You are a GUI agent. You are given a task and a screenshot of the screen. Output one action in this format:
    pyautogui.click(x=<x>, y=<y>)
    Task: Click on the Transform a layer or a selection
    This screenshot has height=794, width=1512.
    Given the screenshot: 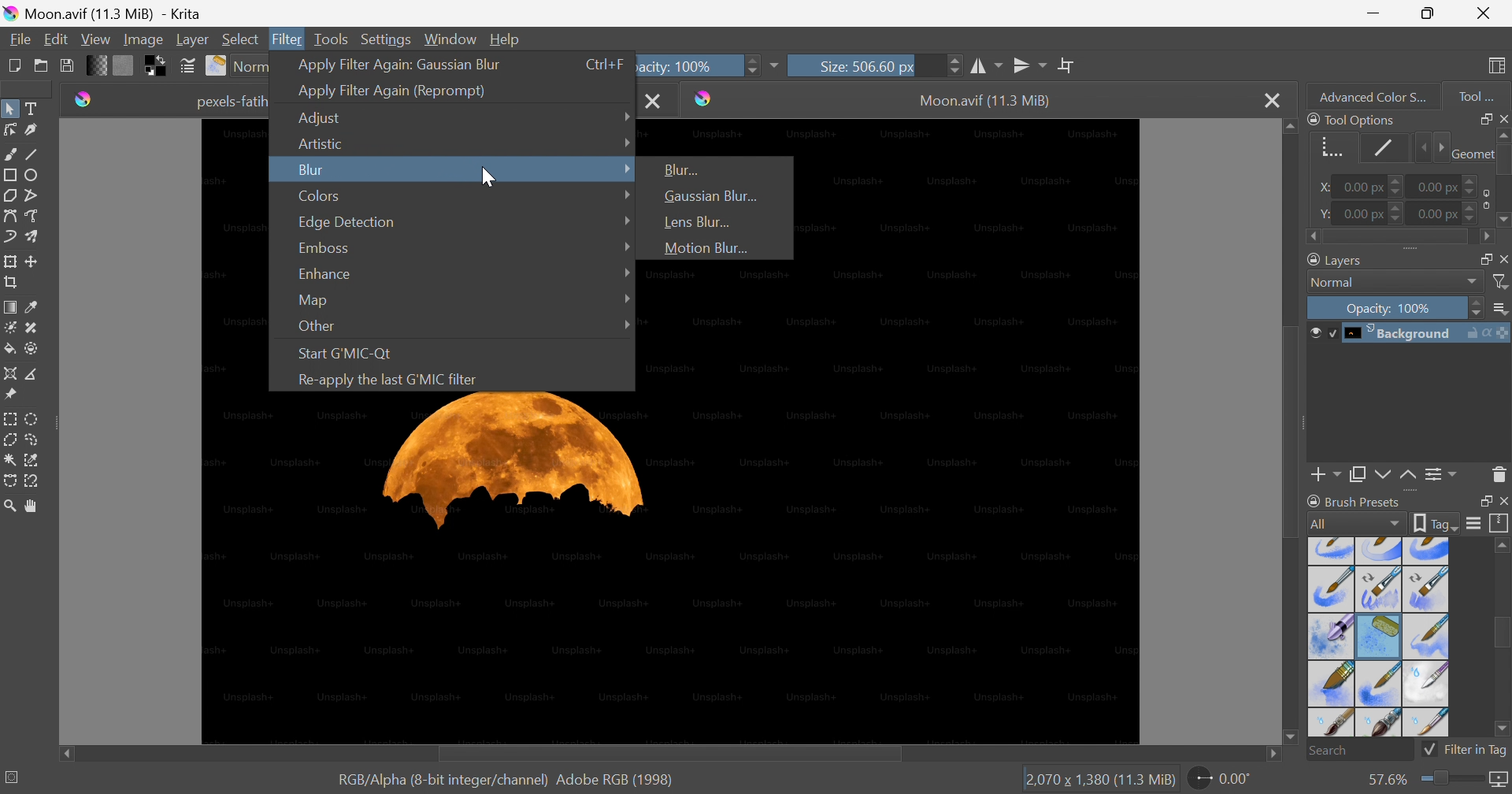 What is the action you would take?
    pyautogui.click(x=9, y=260)
    